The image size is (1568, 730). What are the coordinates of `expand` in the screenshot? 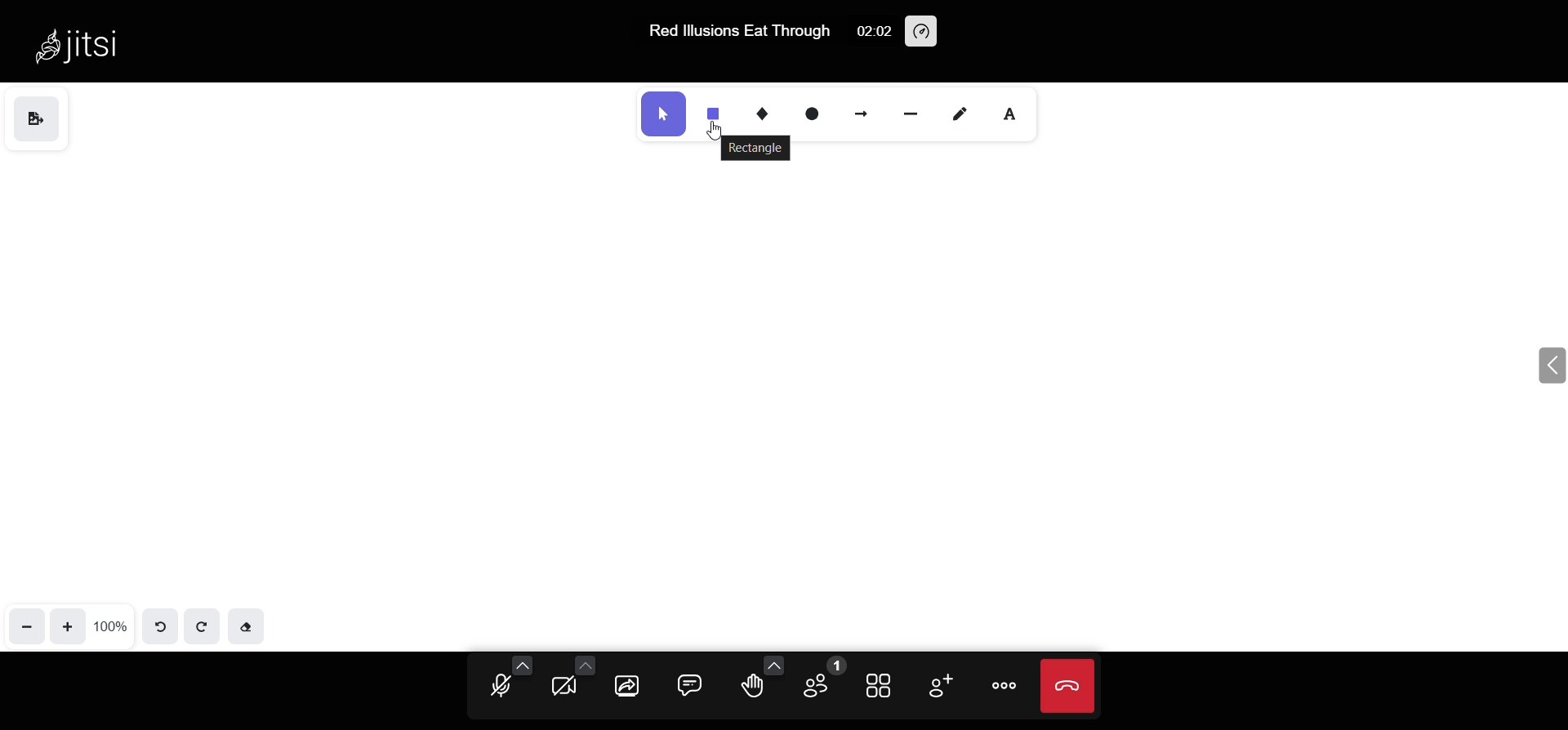 It's located at (1548, 367).